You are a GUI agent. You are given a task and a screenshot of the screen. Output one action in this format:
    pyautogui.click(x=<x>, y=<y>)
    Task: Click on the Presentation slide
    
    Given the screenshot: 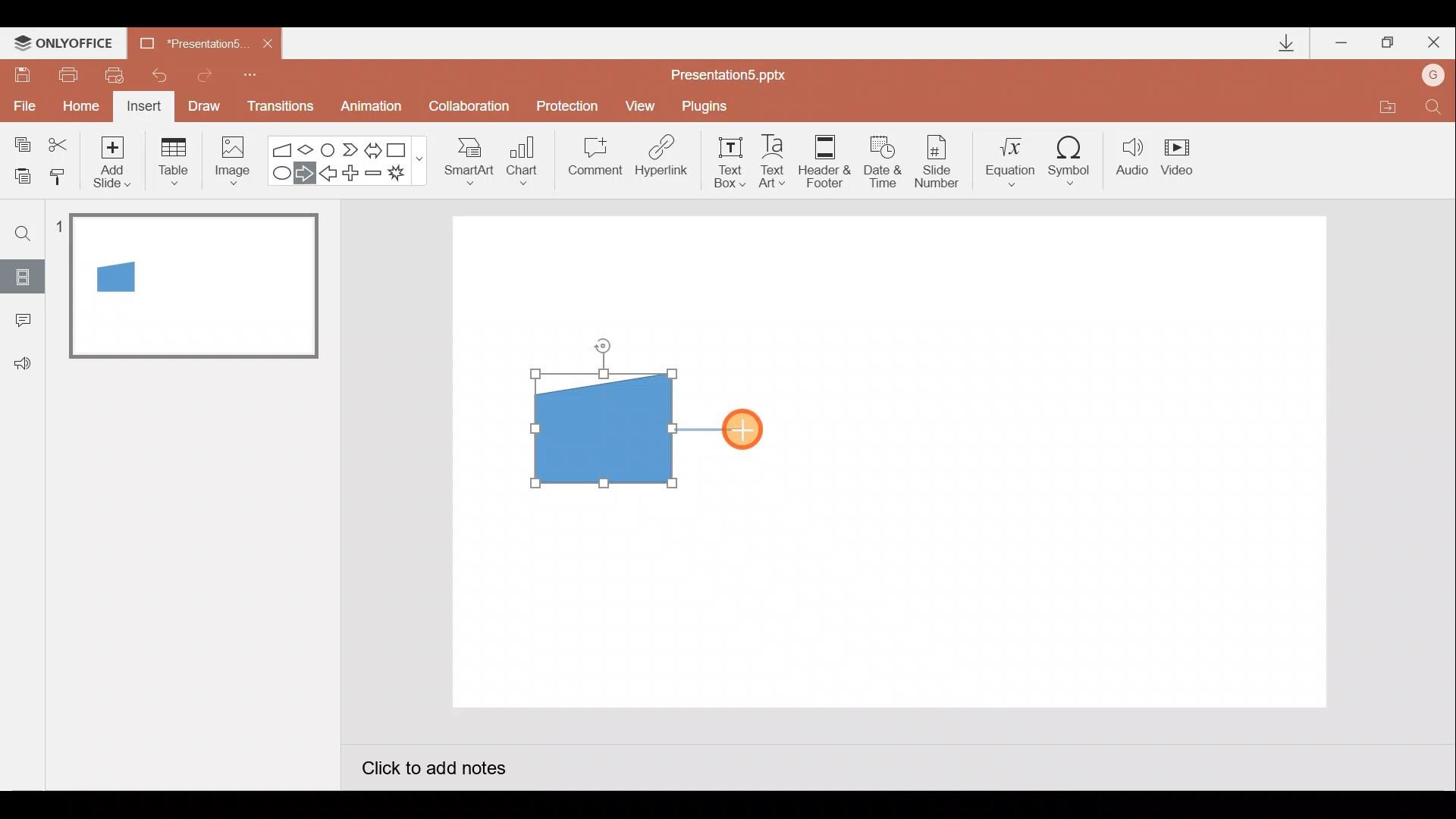 What is the action you would take?
    pyautogui.click(x=1037, y=461)
    